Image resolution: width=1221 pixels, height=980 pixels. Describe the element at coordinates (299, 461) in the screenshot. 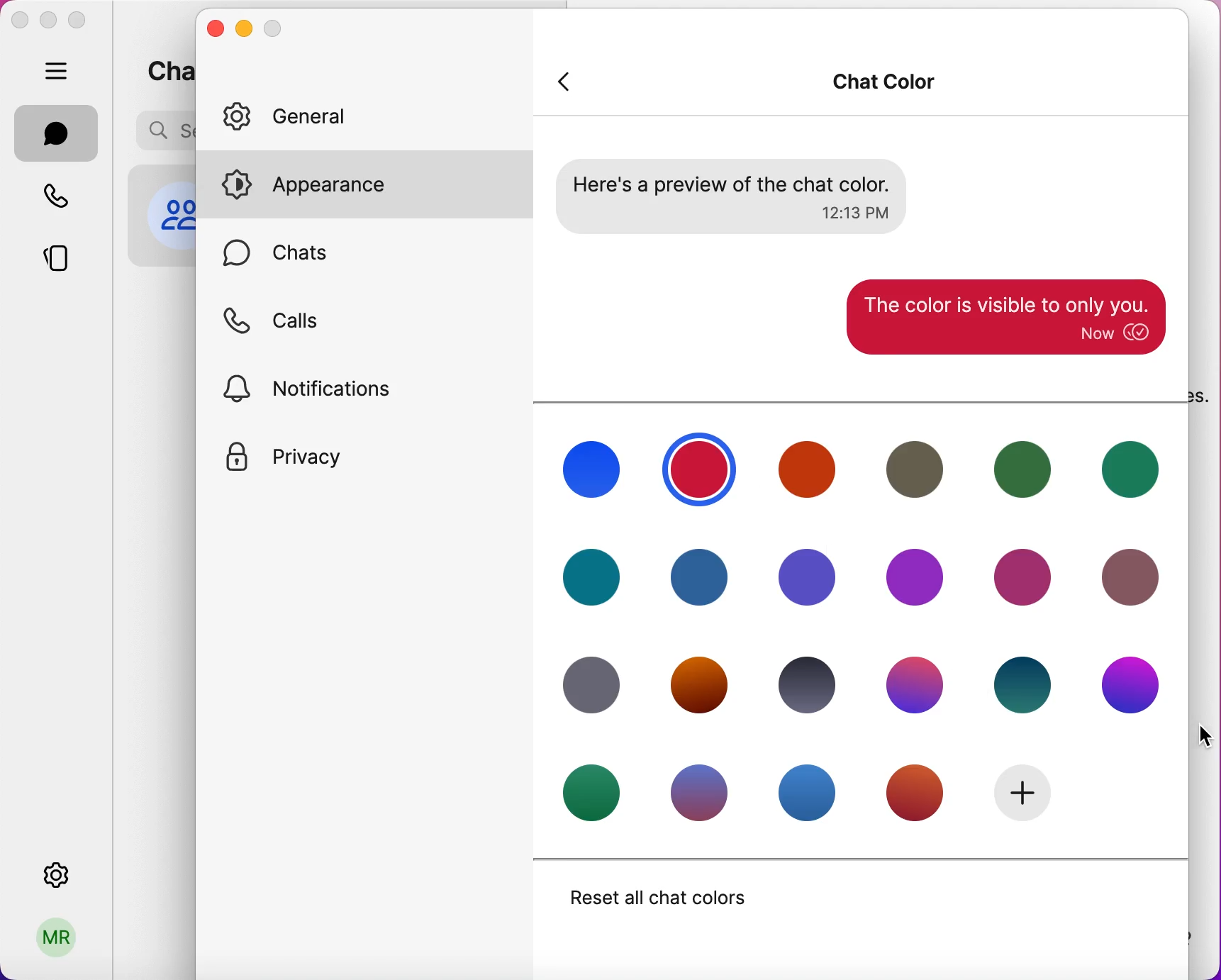

I see `privacy` at that location.